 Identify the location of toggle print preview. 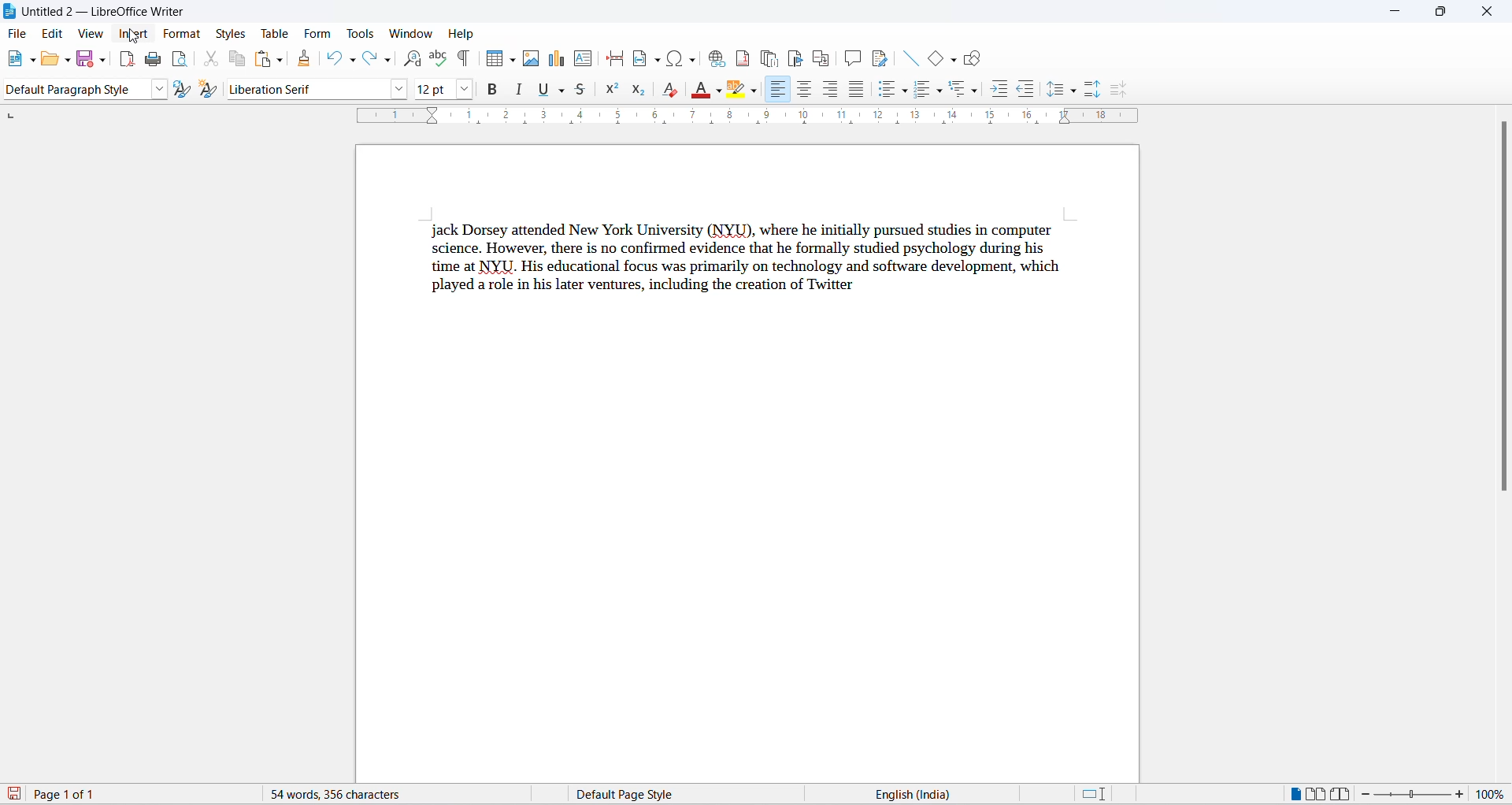
(182, 61).